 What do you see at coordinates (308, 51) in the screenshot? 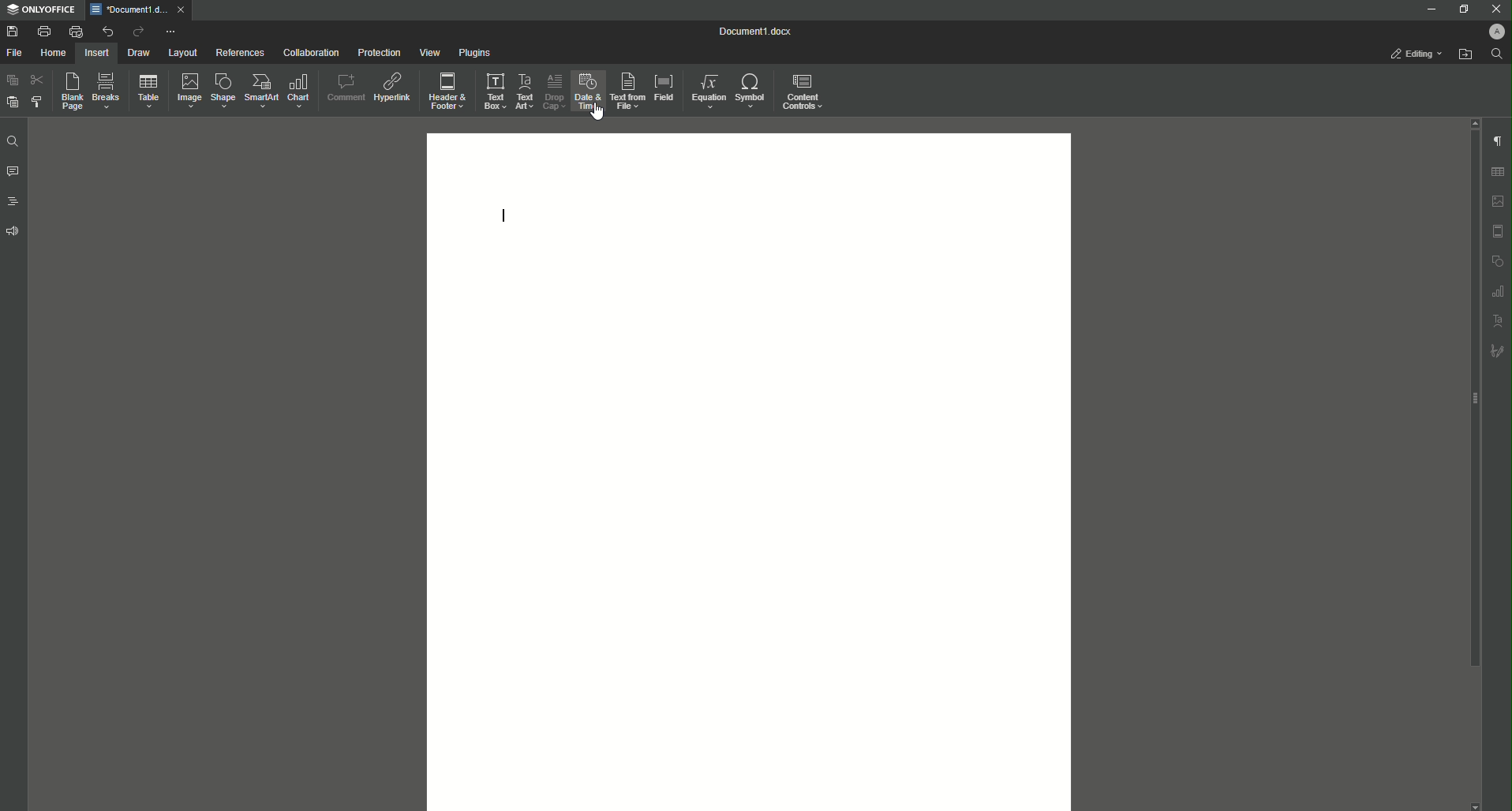
I see `Collaboration` at bounding box center [308, 51].